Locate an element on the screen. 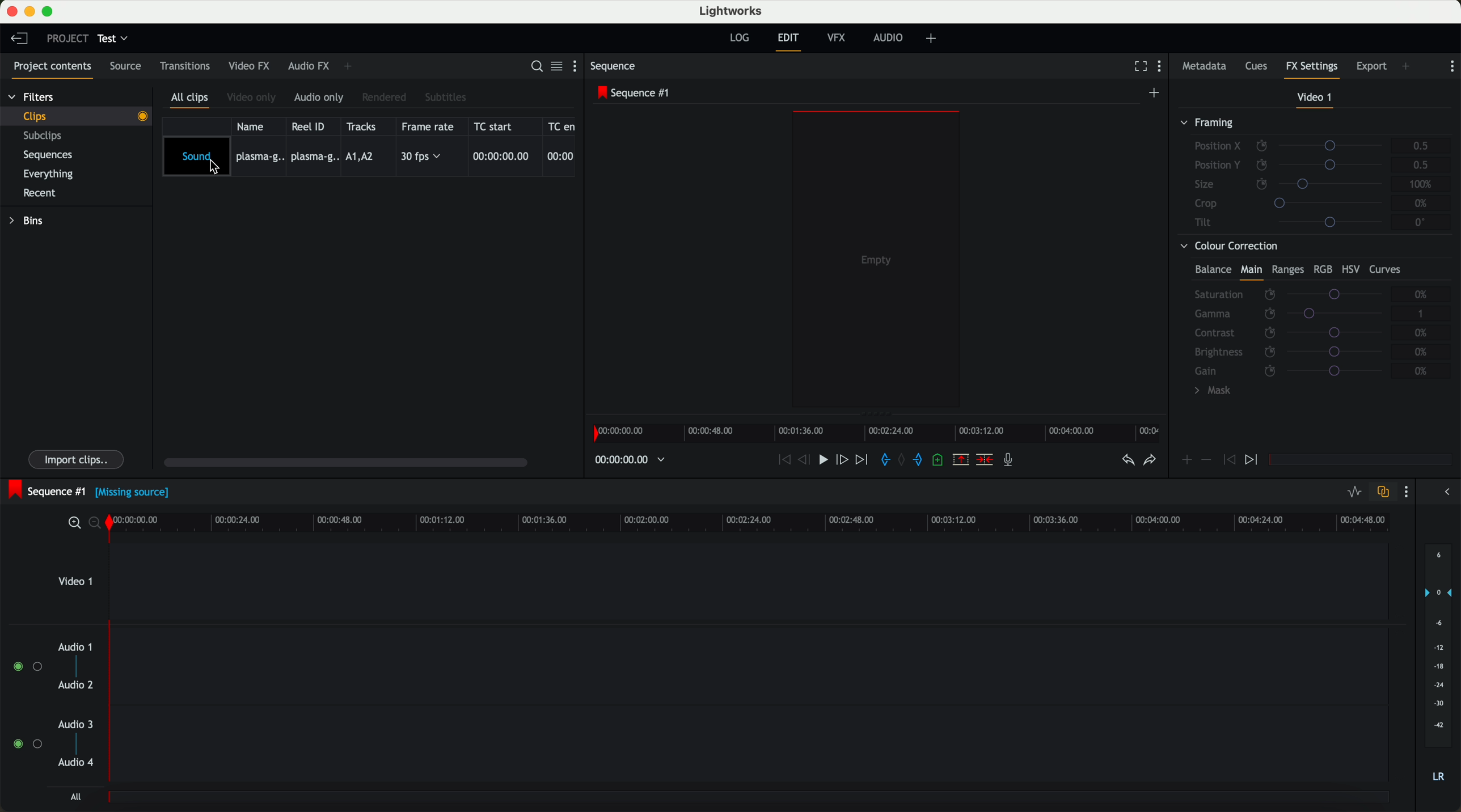 The height and width of the screenshot is (812, 1461). import clips is located at coordinates (78, 458).